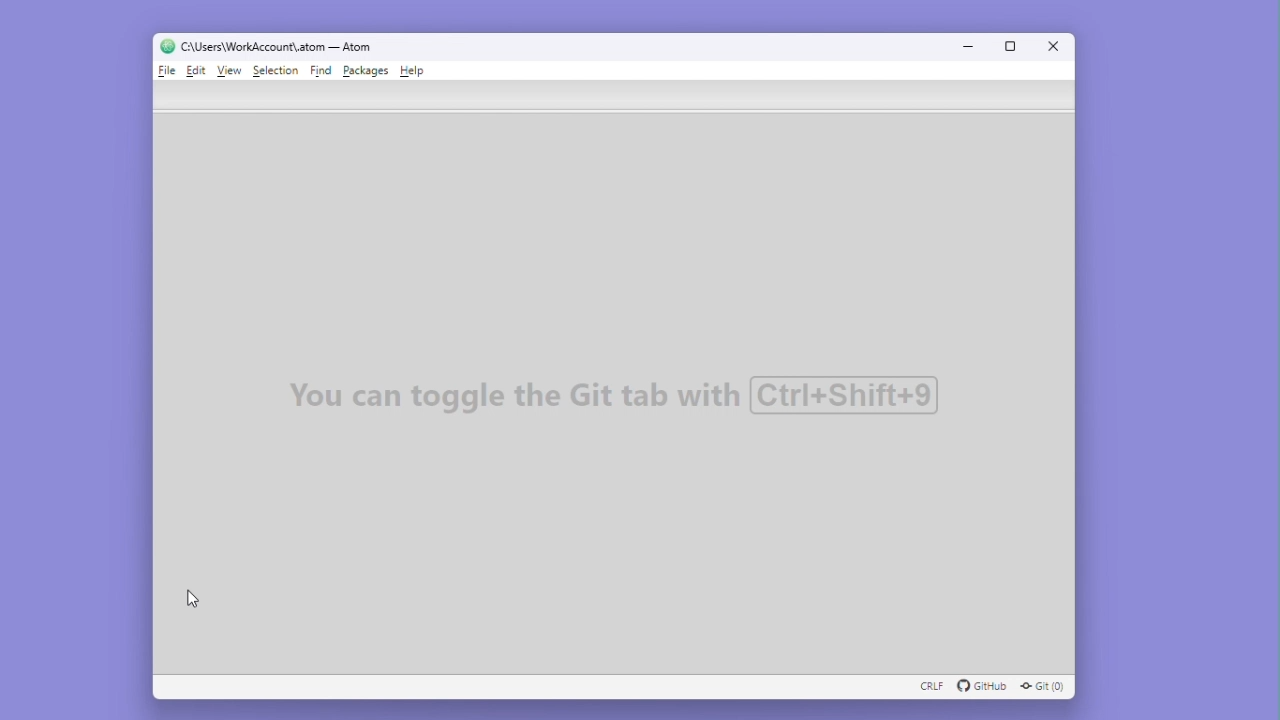 The image size is (1280, 720). What do you see at coordinates (366, 71) in the screenshot?
I see `Packages` at bounding box center [366, 71].